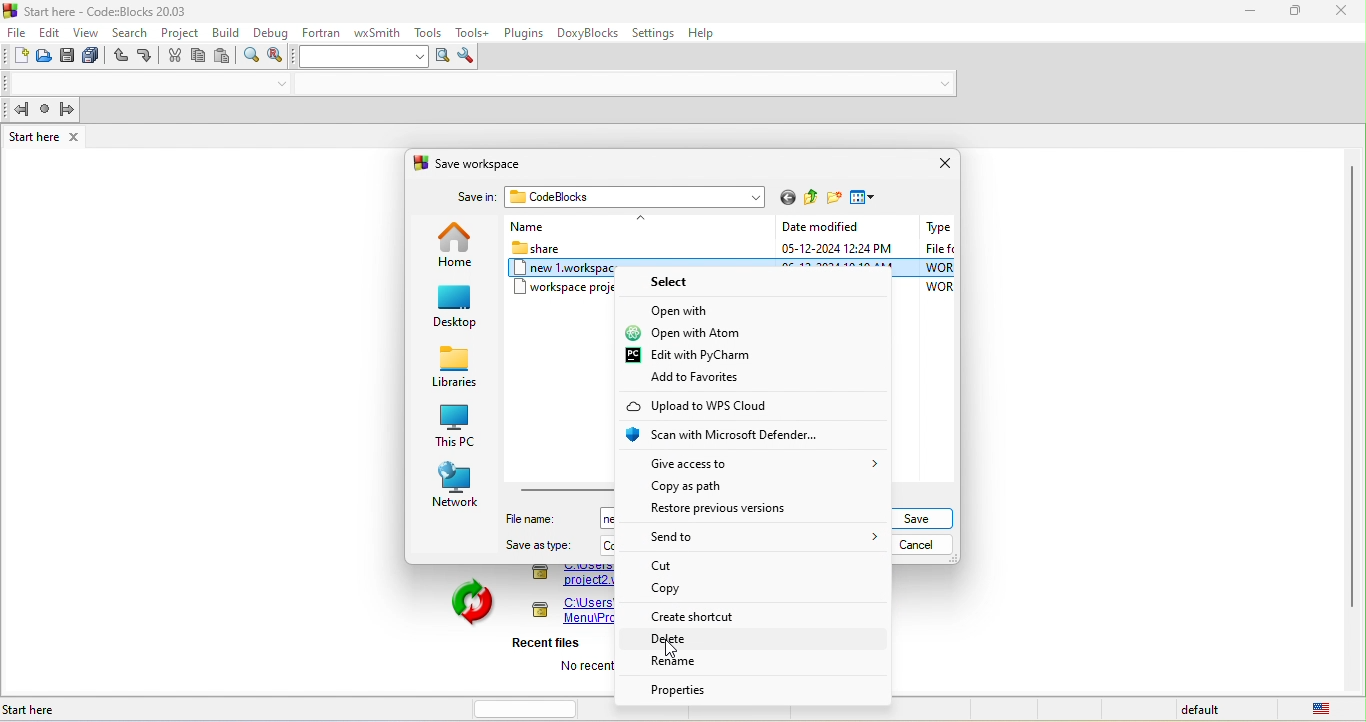  I want to click on go to last folder, so click(787, 198).